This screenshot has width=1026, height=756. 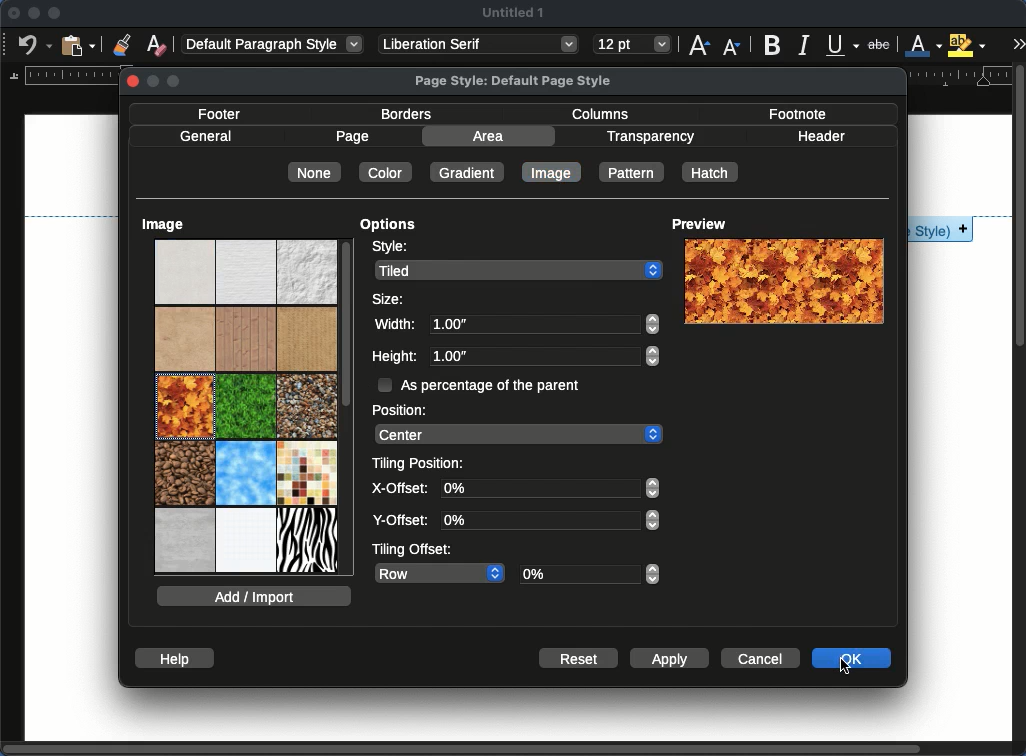 I want to click on margin, so click(x=63, y=75).